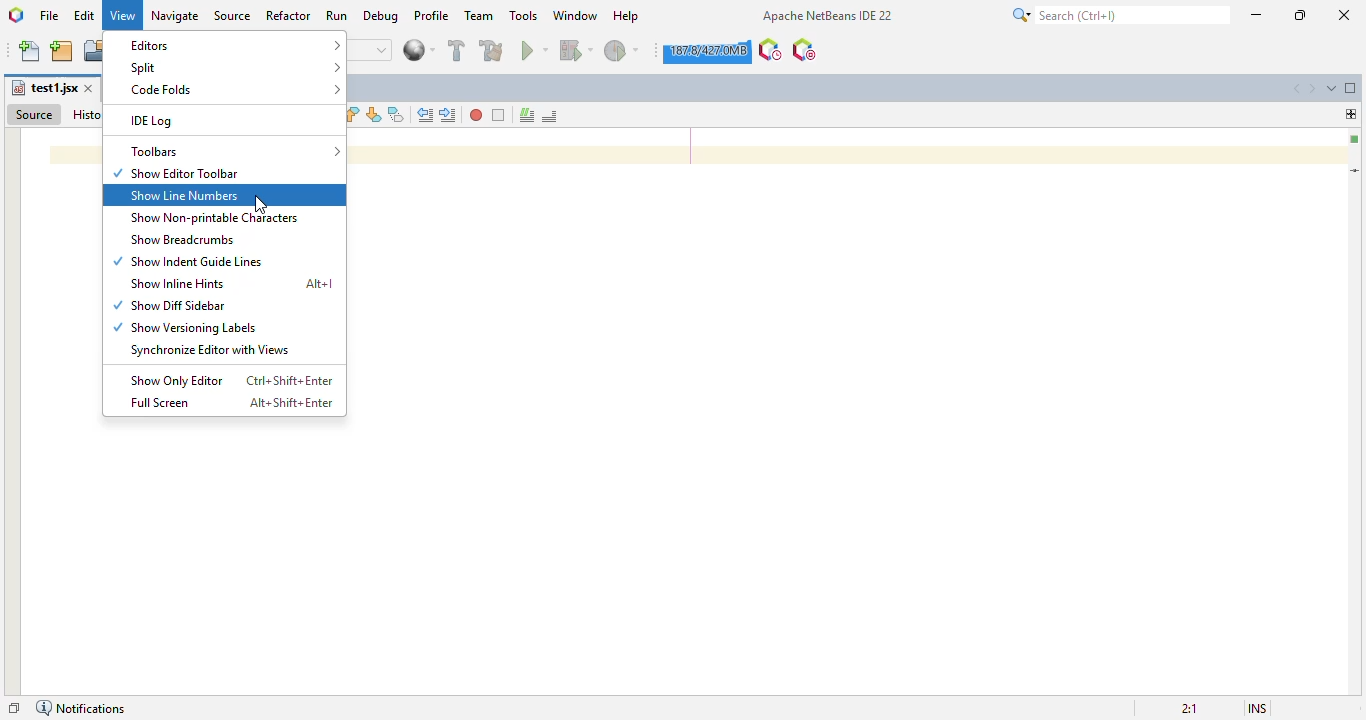  Describe the element at coordinates (828, 15) in the screenshot. I see `apache NetBeans IDE 22` at that location.